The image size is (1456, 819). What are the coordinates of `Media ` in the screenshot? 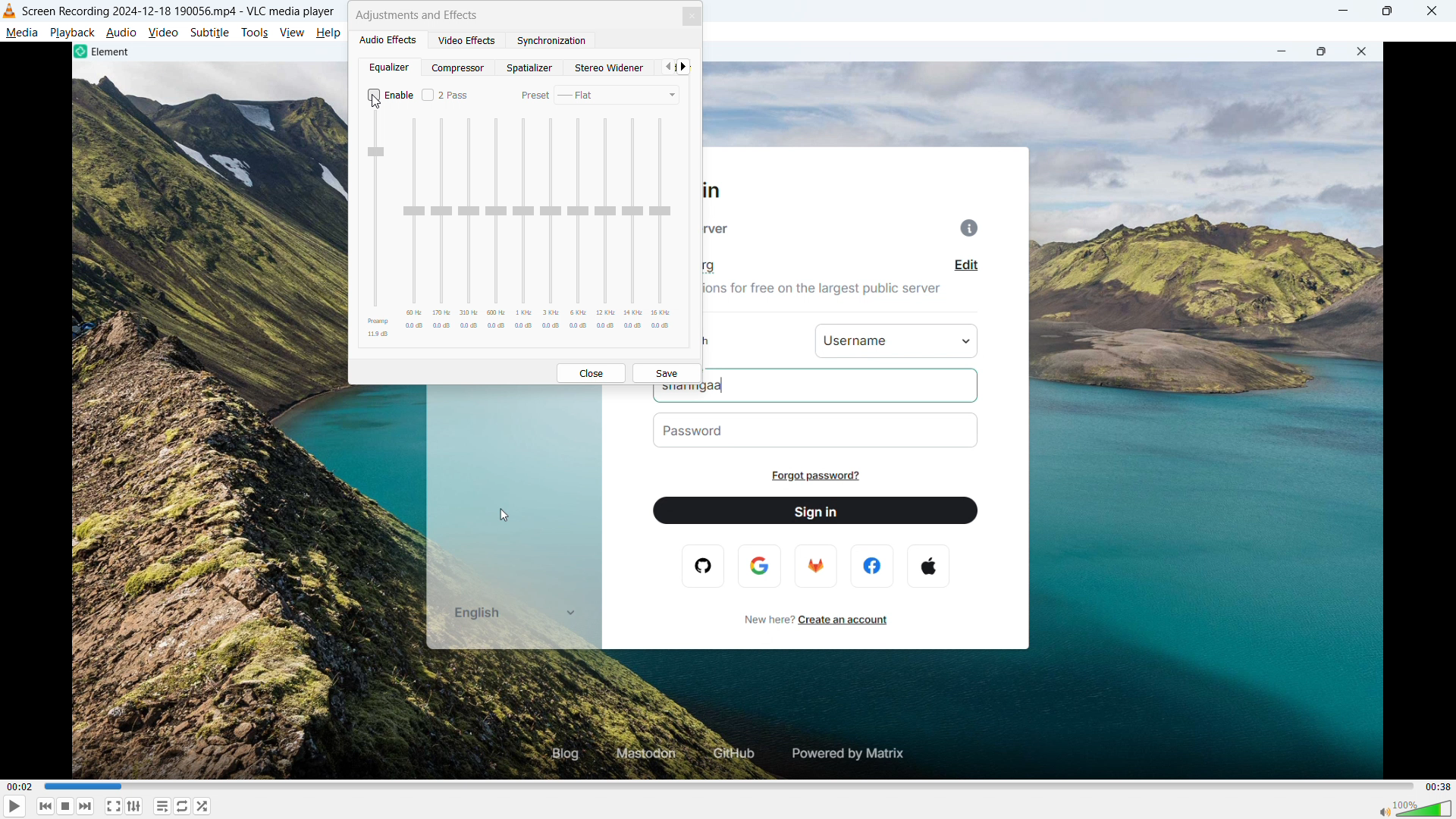 It's located at (21, 33).